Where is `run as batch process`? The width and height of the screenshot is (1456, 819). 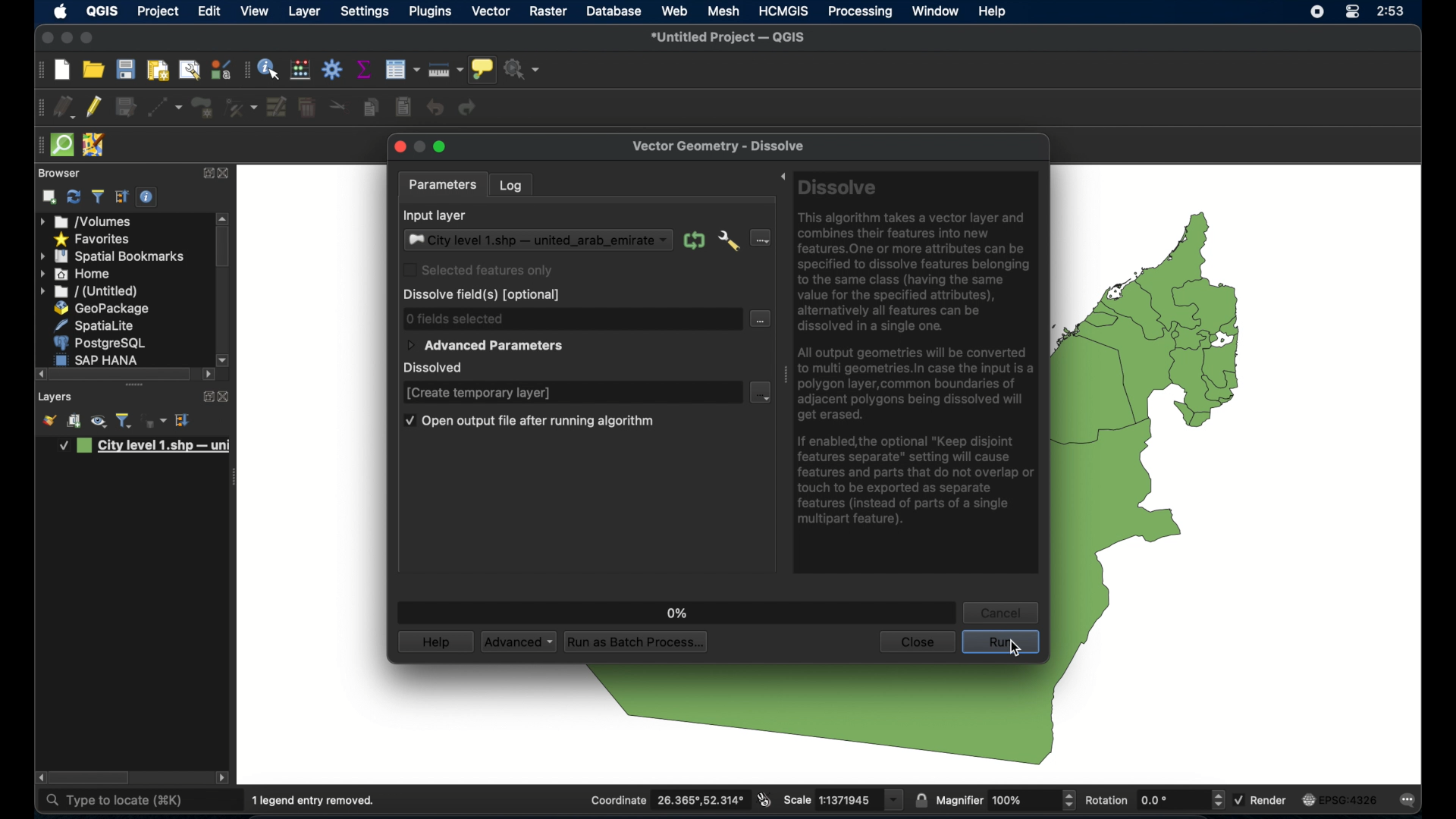
run as batch process is located at coordinates (638, 642).